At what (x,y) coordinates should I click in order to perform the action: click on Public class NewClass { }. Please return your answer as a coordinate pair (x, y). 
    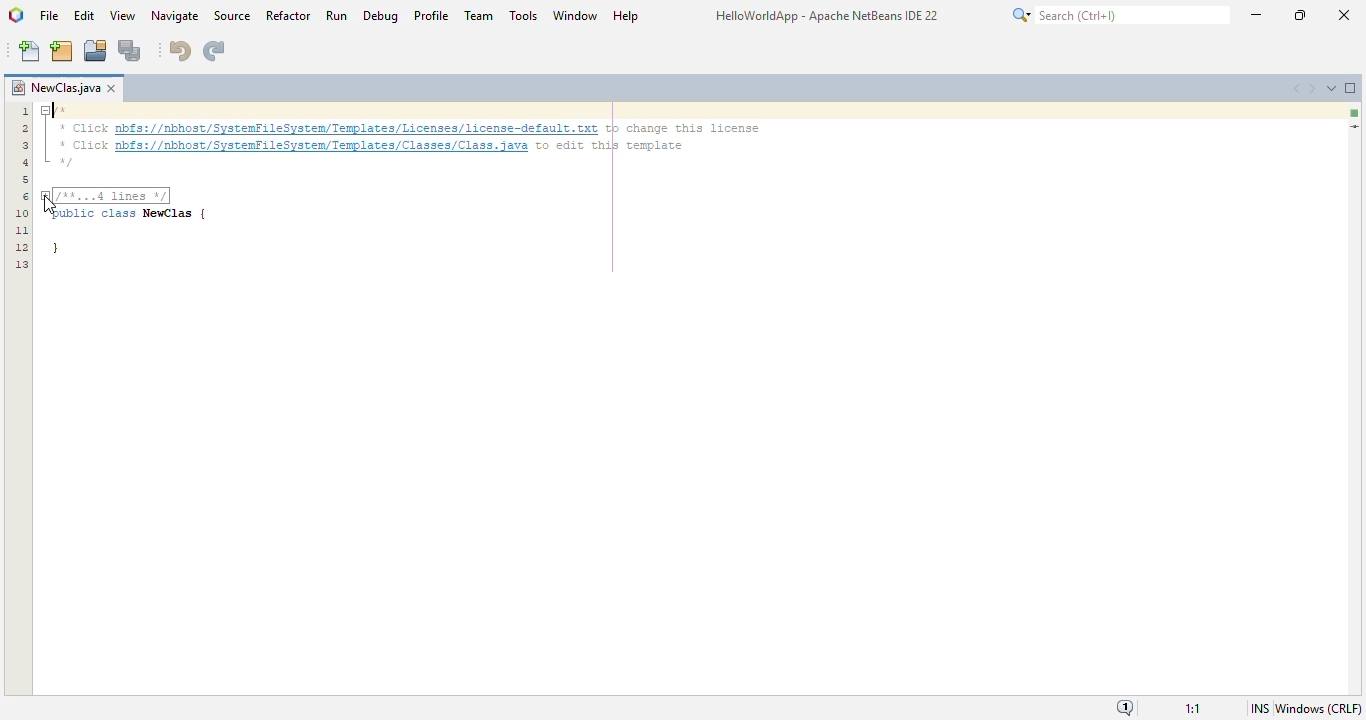
    Looking at the image, I should click on (141, 236).